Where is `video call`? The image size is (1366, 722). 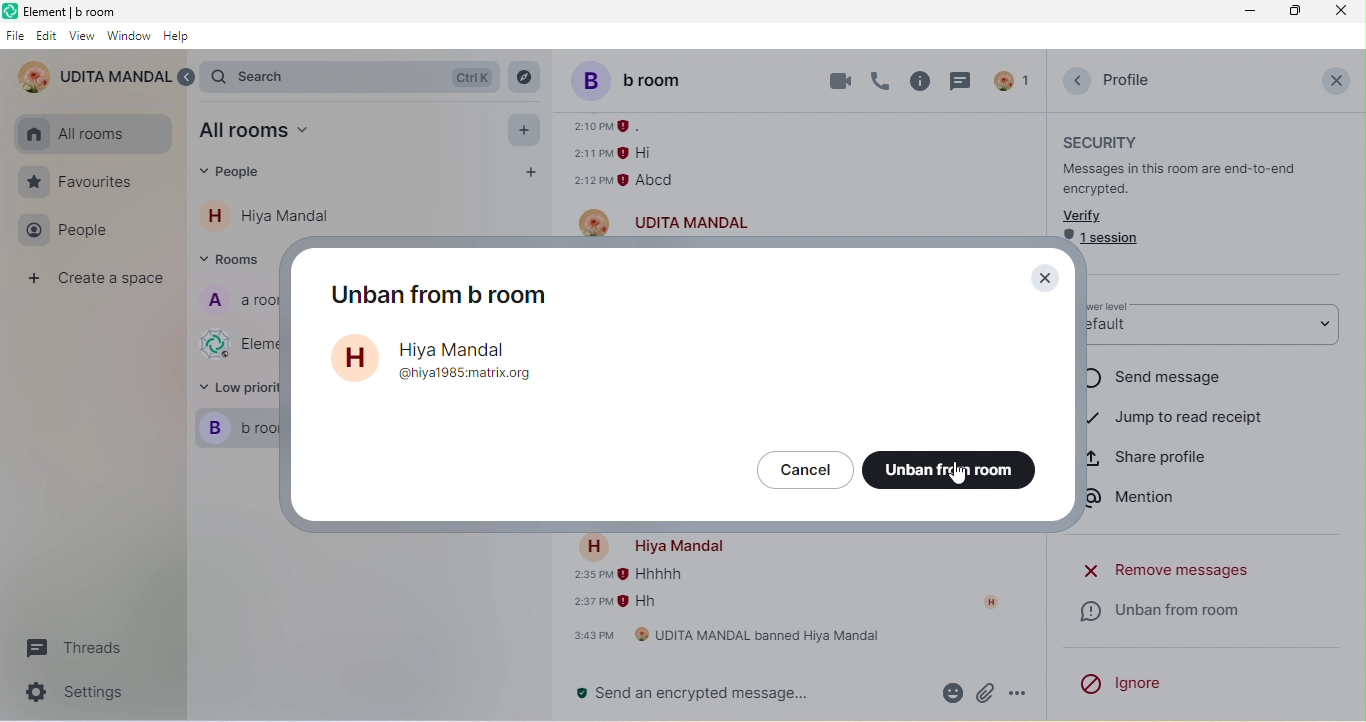
video call is located at coordinates (840, 80).